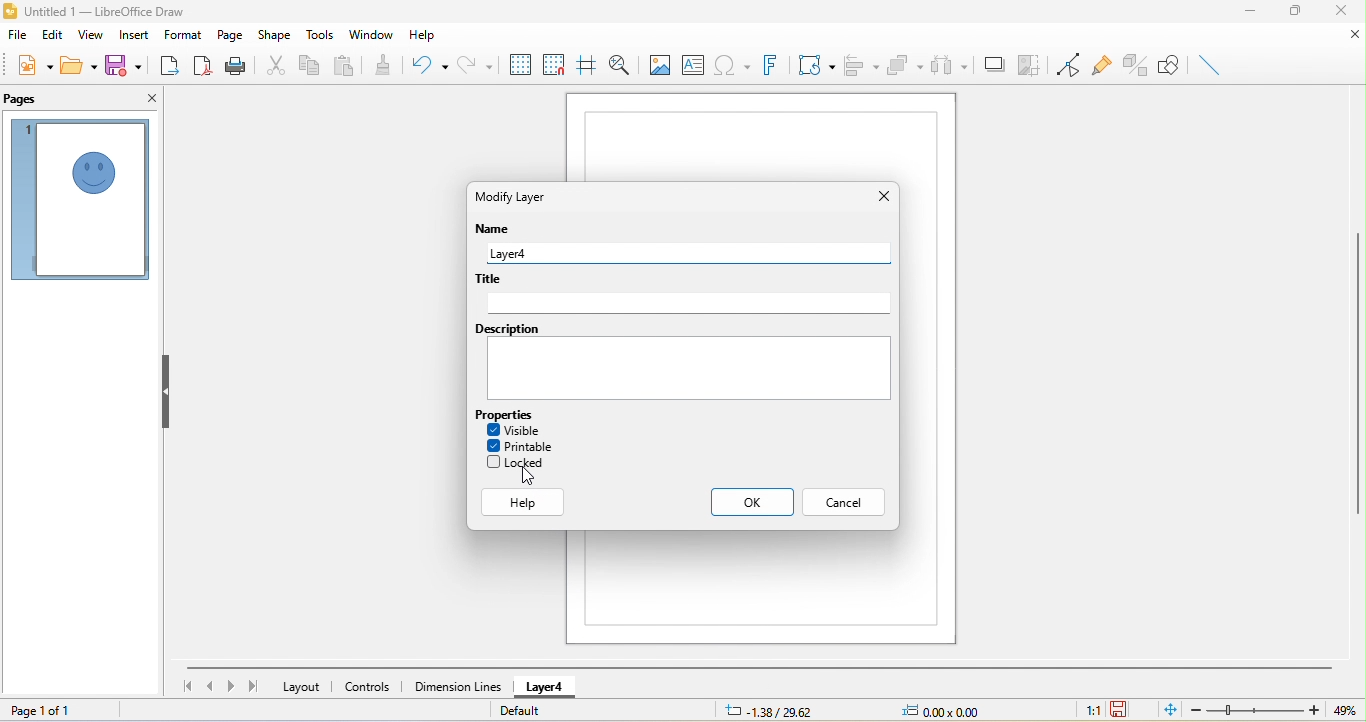 This screenshot has width=1366, height=722. What do you see at coordinates (1126, 710) in the screenshot?
I see `the document has not been modified since the last save ` at bounding box center [1126, 710].